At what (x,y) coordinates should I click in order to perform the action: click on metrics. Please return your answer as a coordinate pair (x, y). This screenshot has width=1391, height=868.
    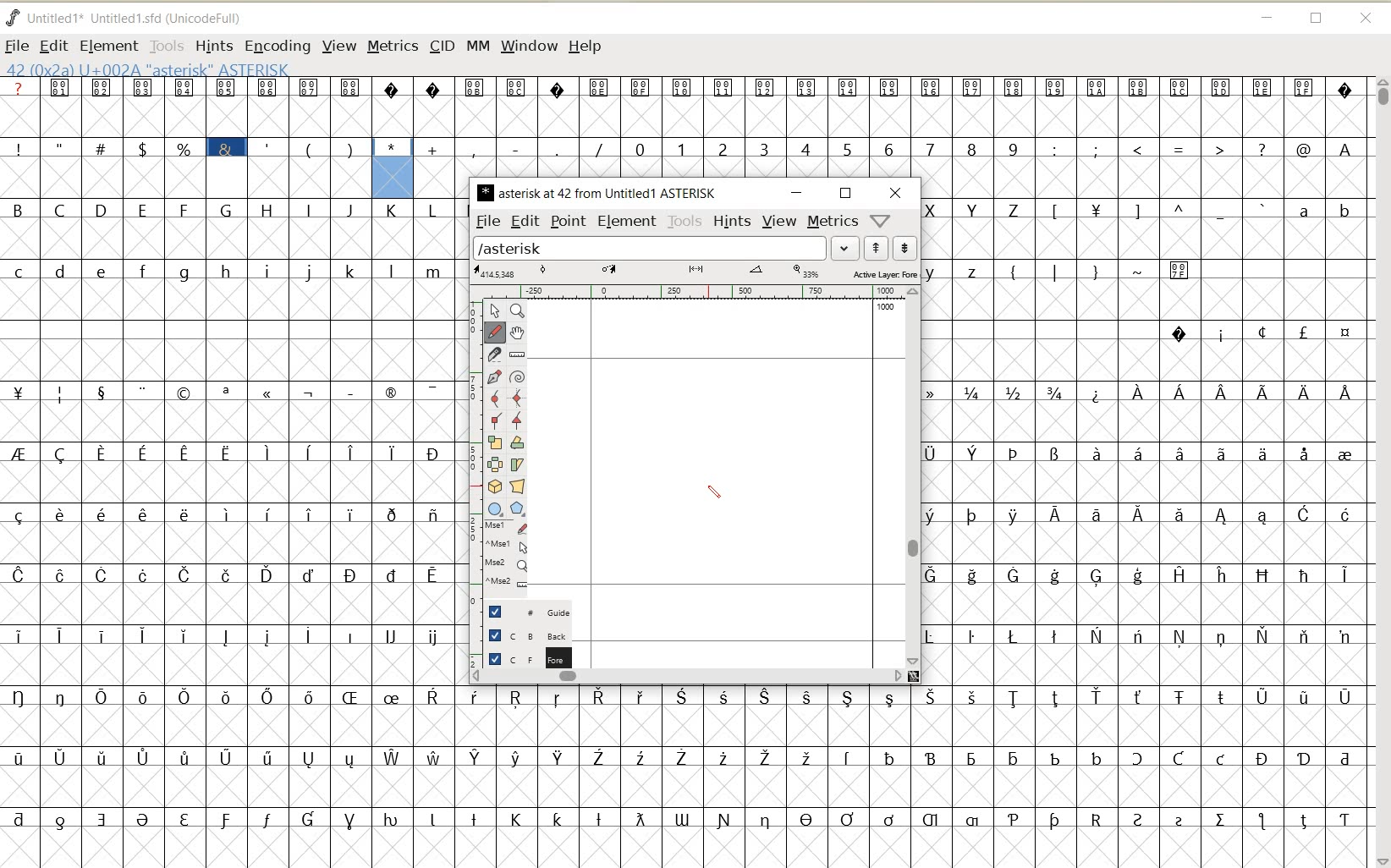
    Looking at the image, I should click on (833, 222).